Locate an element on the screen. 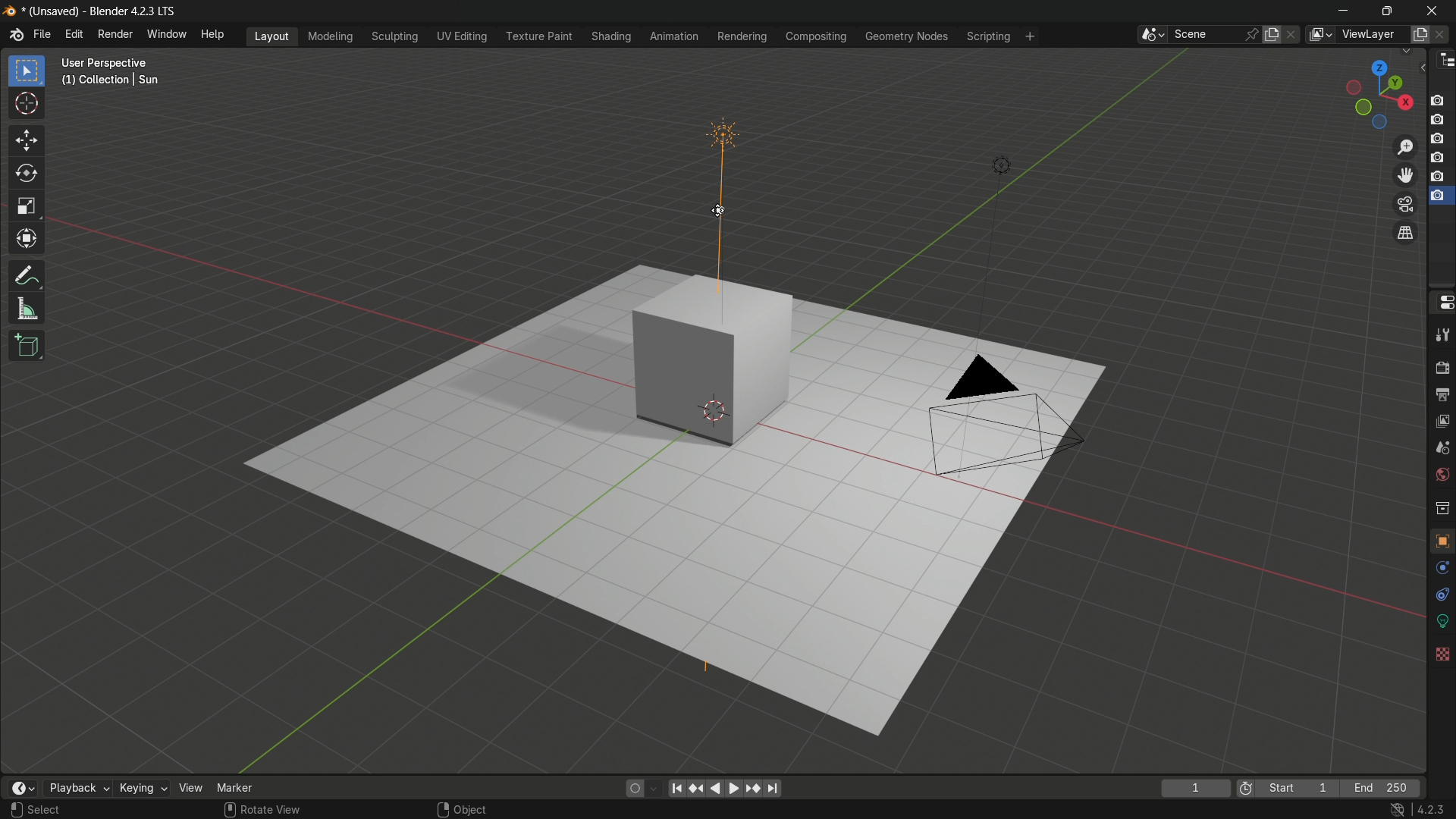 Image resolution: width=1456 pixels, height=819 pixels. jump to endpoint is located at coordinates (677, 789).